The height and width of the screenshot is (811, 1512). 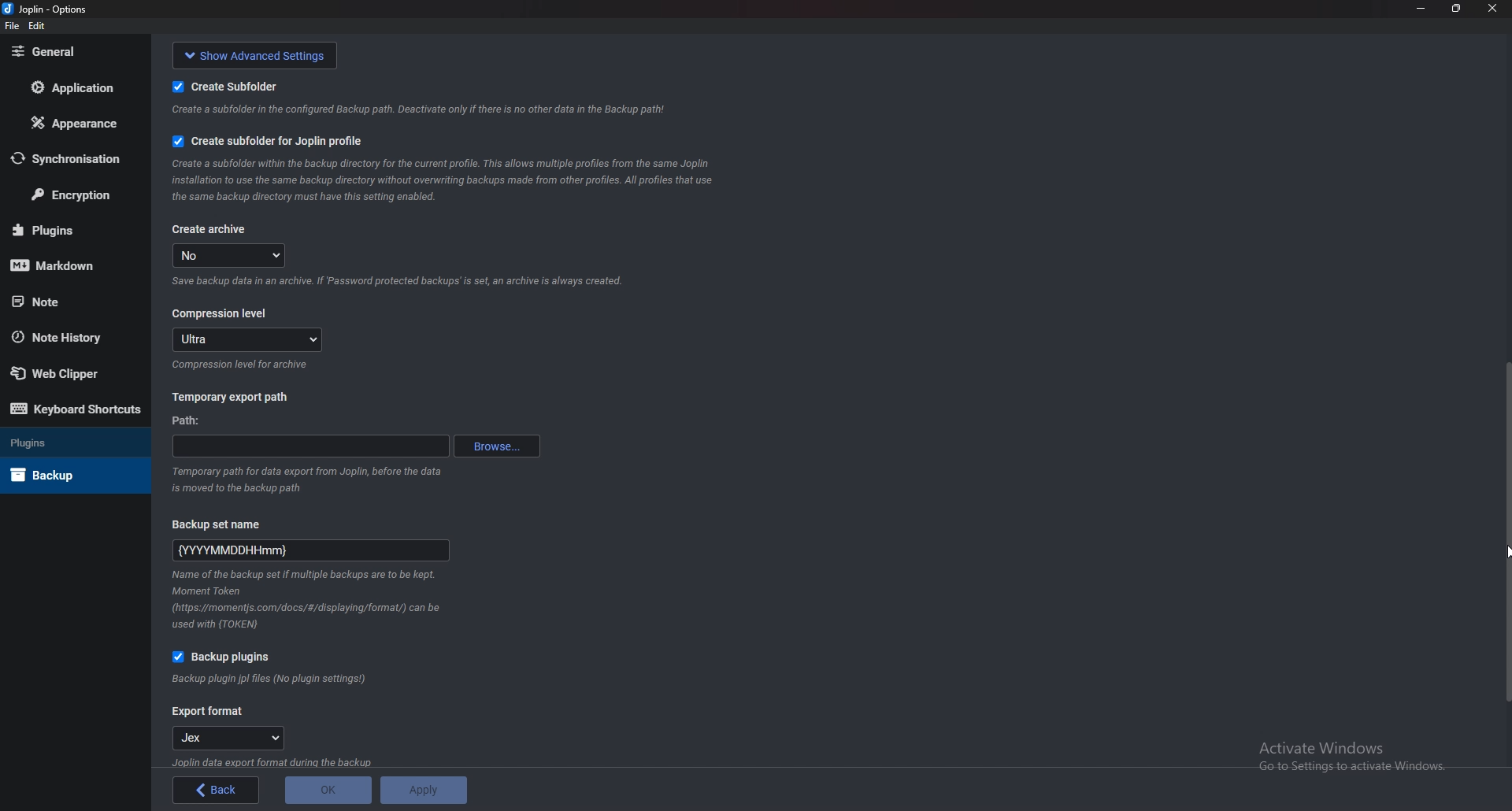 What do you see at coordinates (224, 657) in the screenshot?
I see `Backup plugins` at bounding box center [224, 657].